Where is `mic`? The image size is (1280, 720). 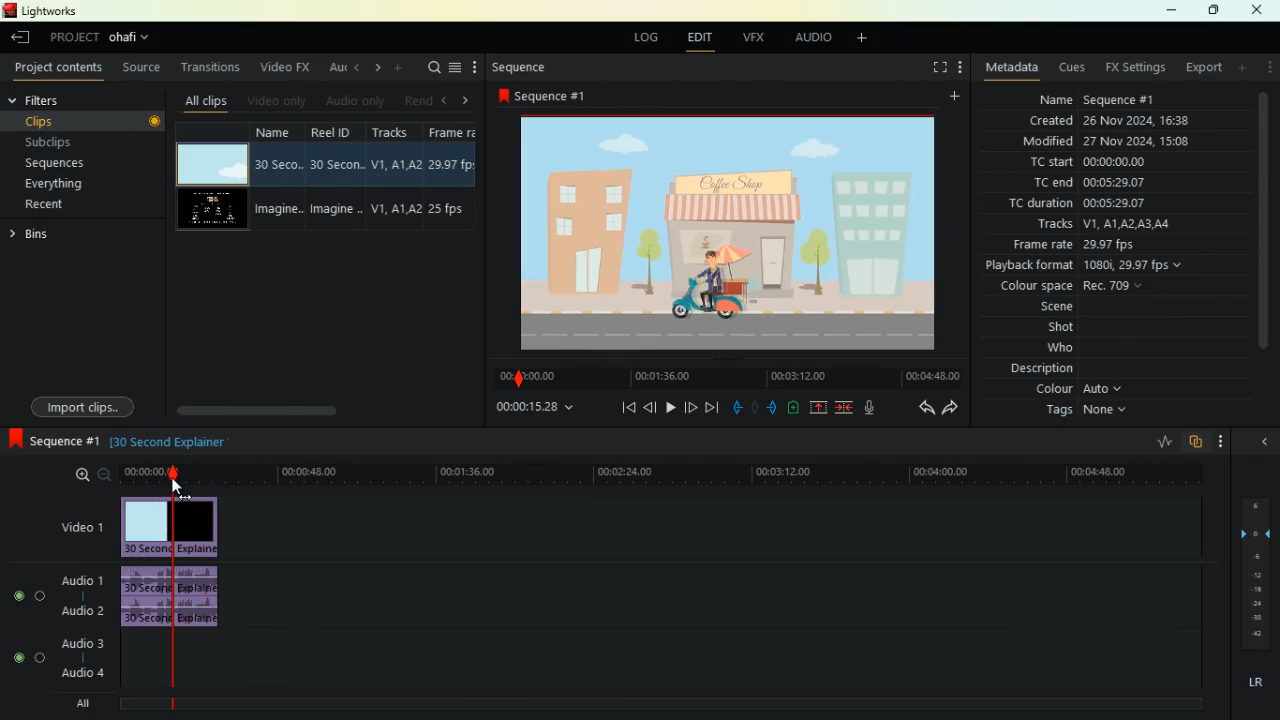
mic is located at coordinates (871, 405).